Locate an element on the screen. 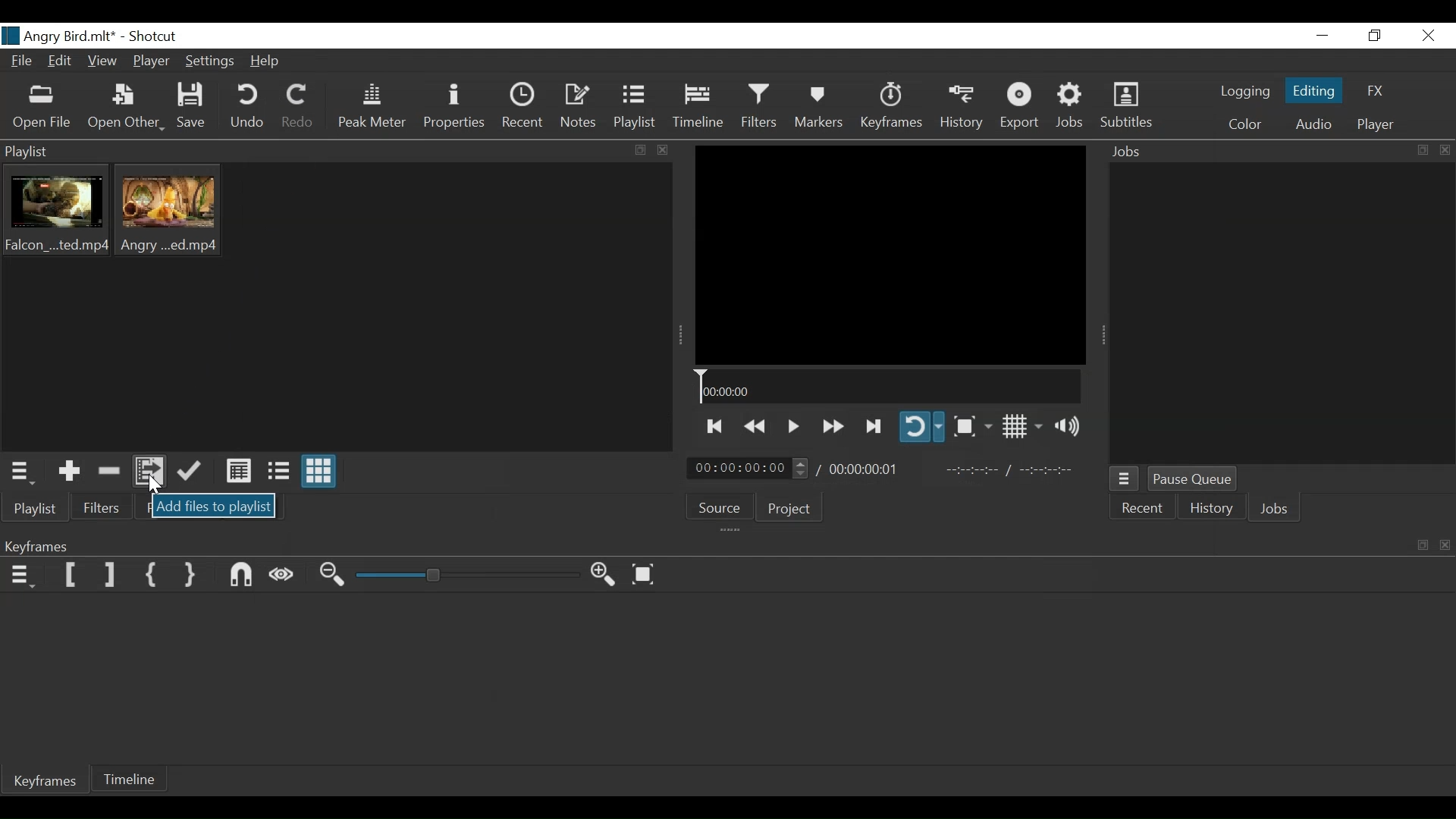 This screenshot has width=1456, height=819. Audio is located at coordinates (1313, 123).